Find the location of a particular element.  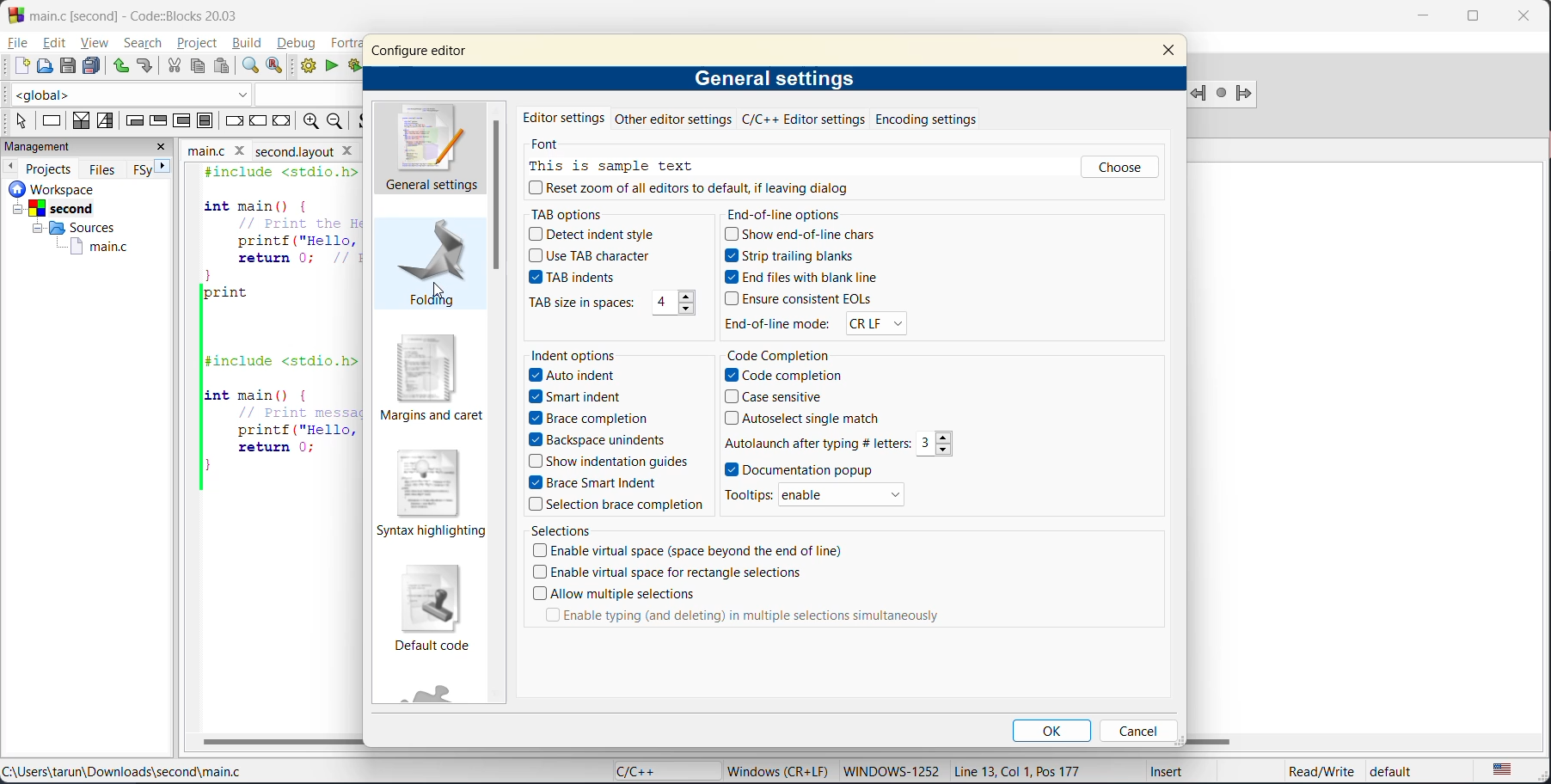

Show end-of-line chars is located at coordinates (808, 236).